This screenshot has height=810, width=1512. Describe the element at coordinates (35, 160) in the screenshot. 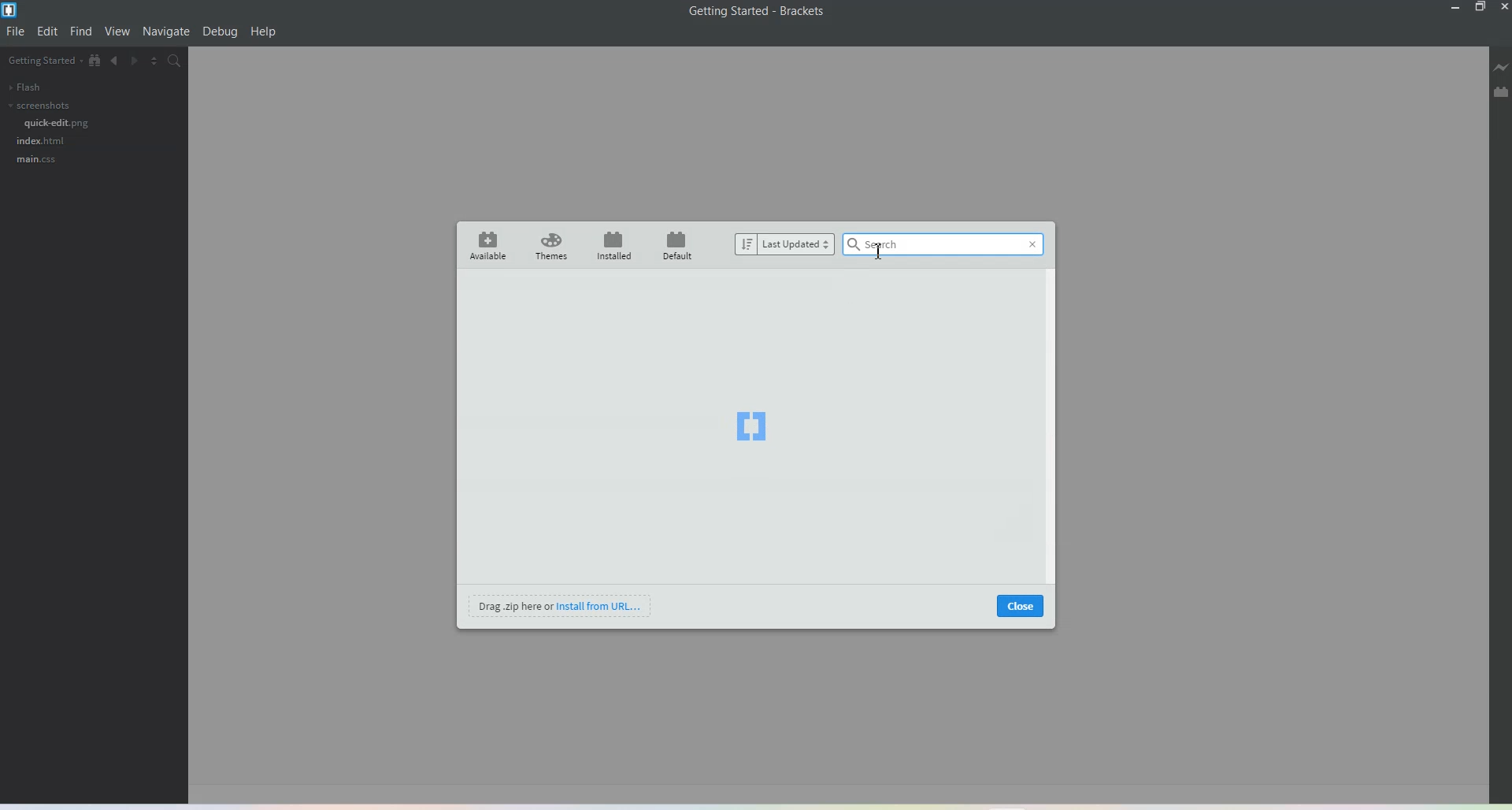

I see `main.css` at that location.